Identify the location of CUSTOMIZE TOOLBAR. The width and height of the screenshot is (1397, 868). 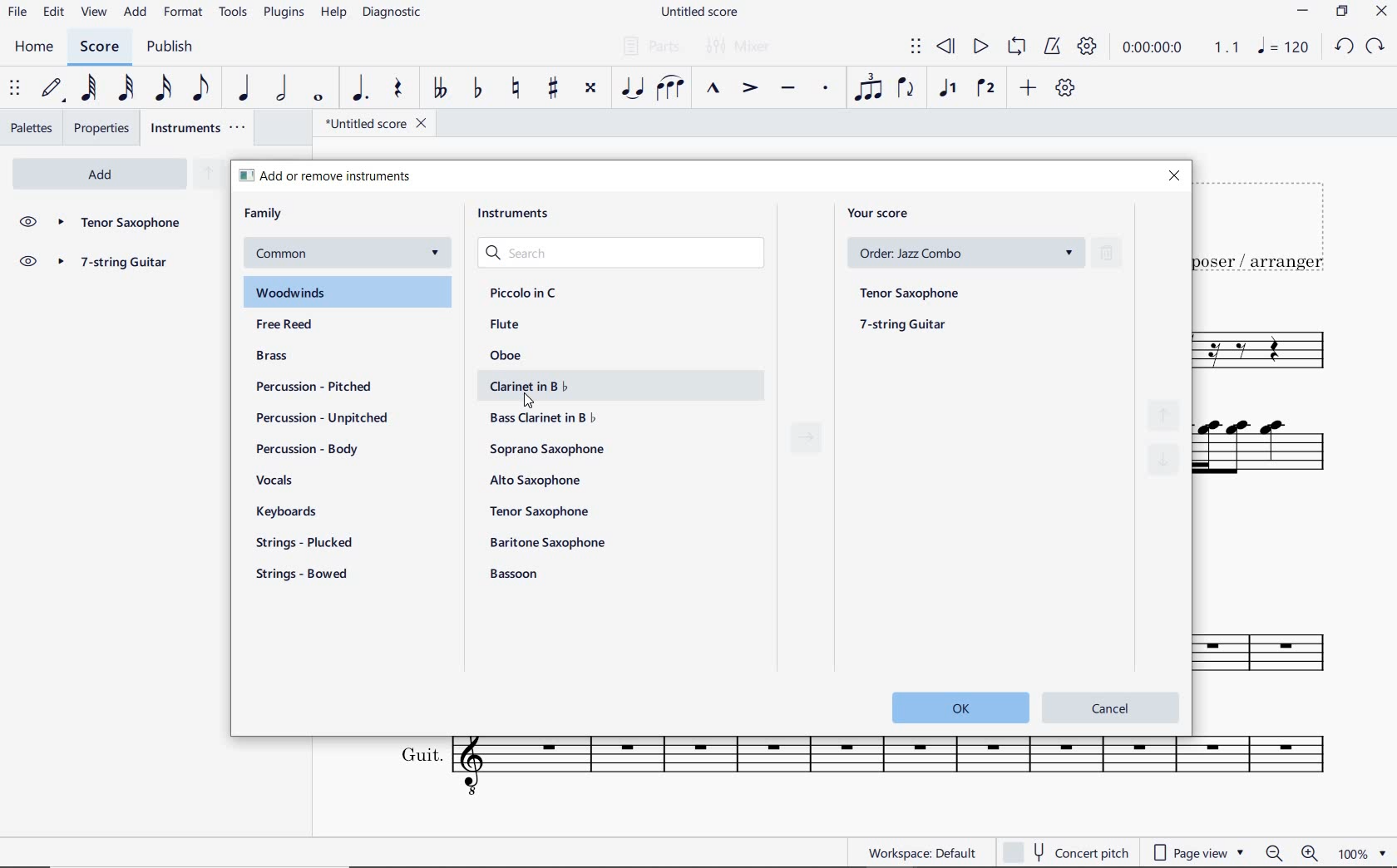
(1064, 88).